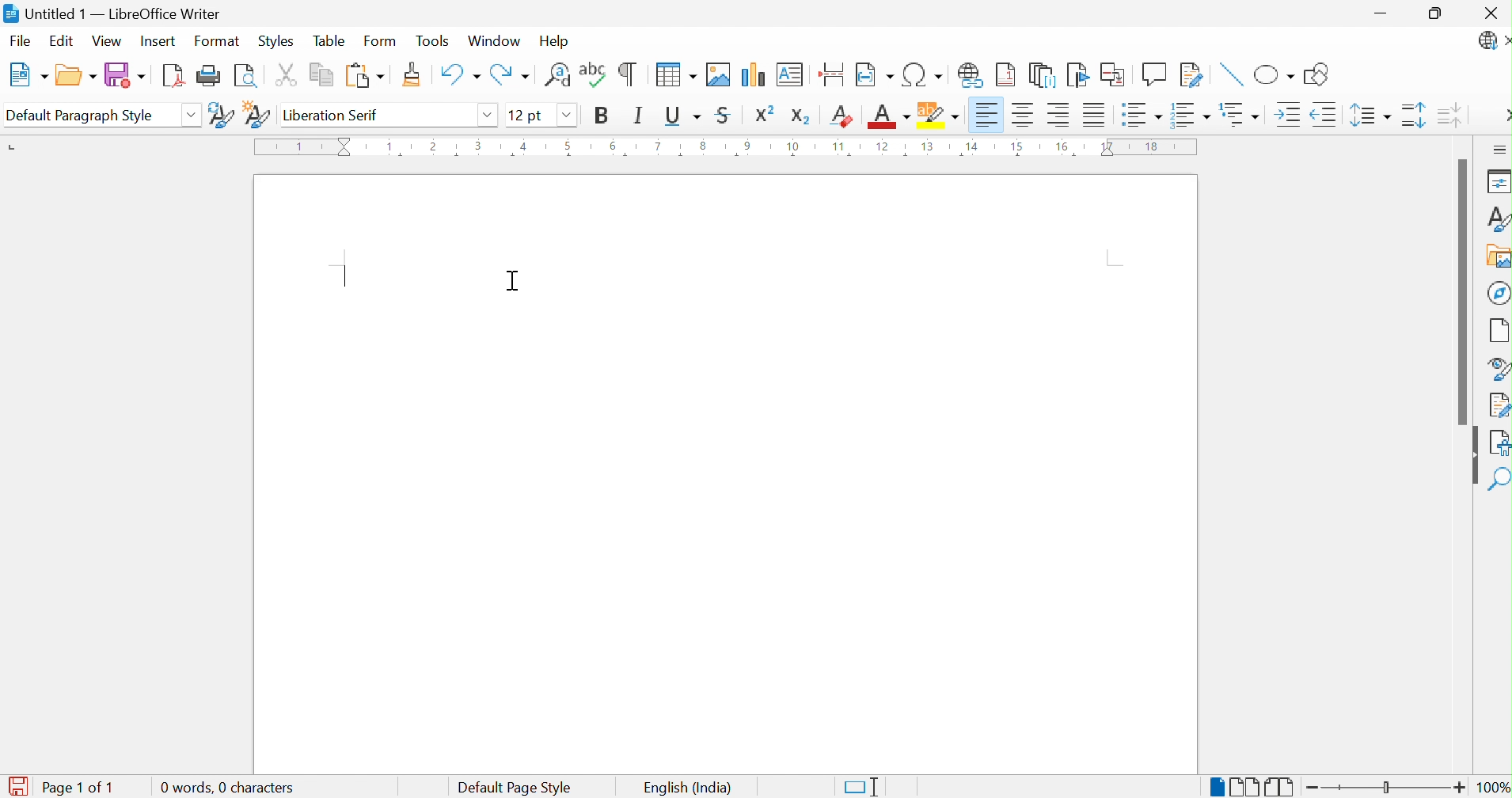 The width and height of the screenshot is (1512, 798). I want to click on Underline, so click(685, 115).